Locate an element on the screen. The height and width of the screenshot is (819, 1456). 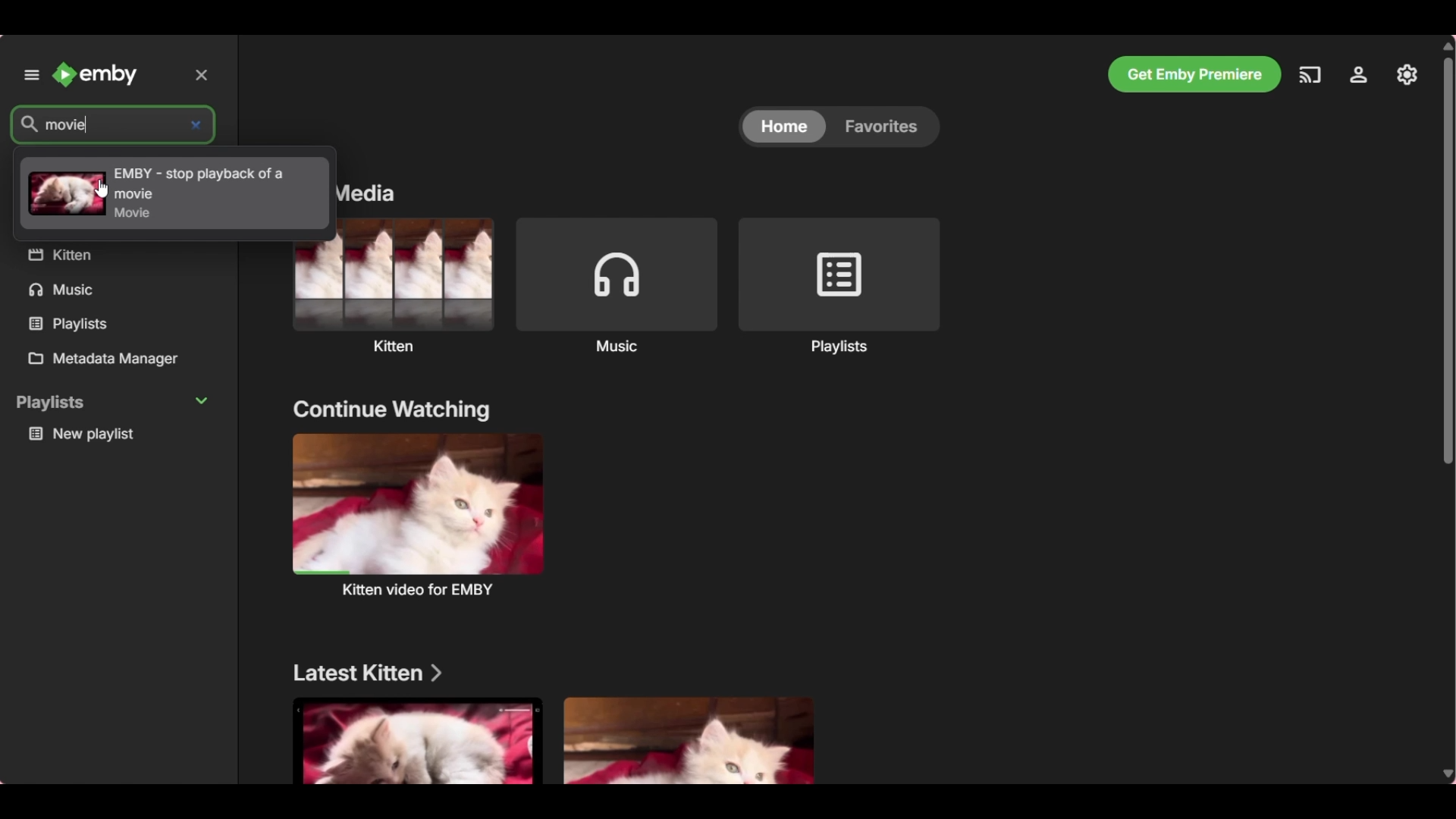
Favorites is located at coordinates (884, 129).